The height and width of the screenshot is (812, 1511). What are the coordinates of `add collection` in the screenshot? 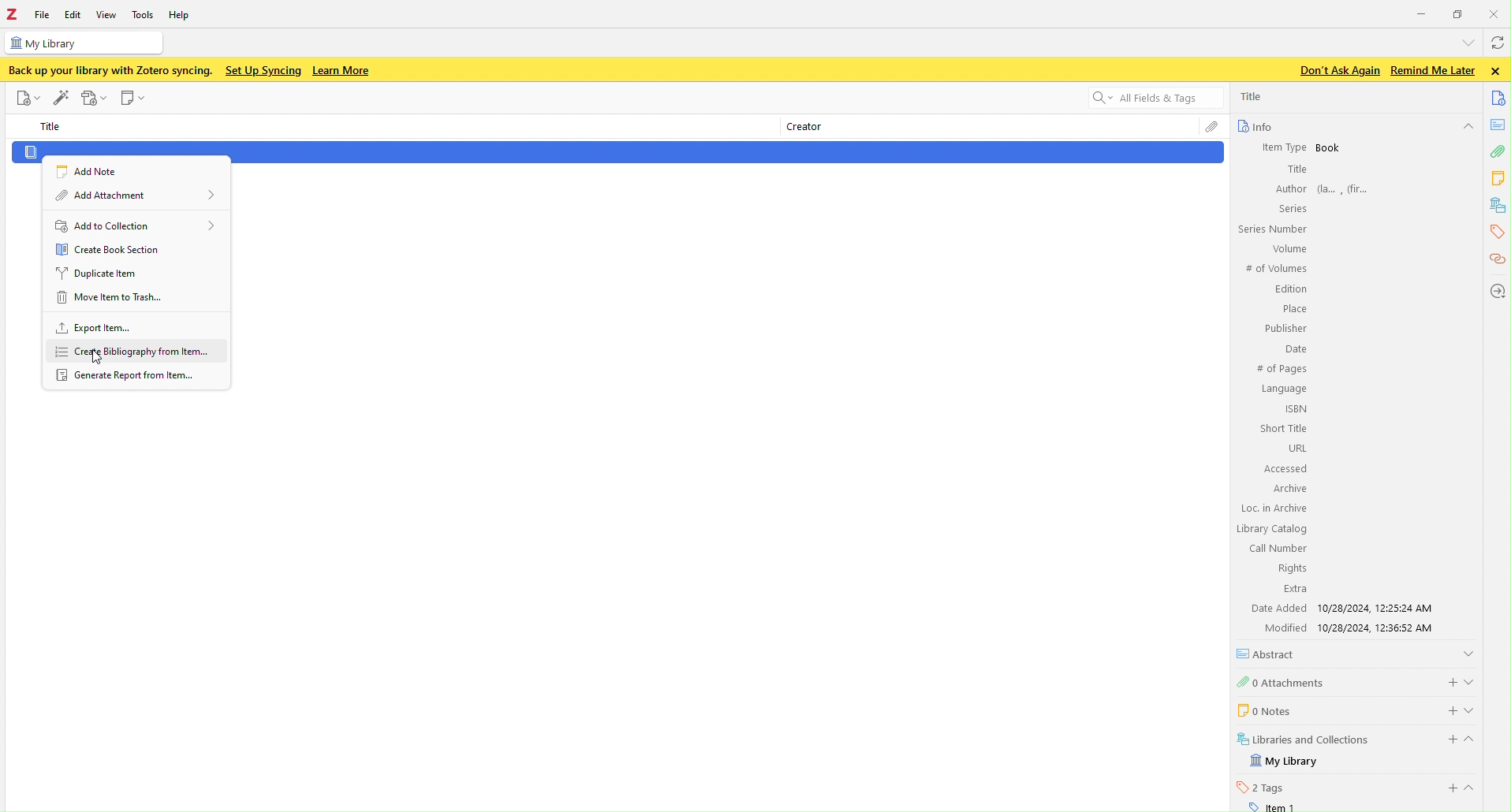 It's located at (136, 222).